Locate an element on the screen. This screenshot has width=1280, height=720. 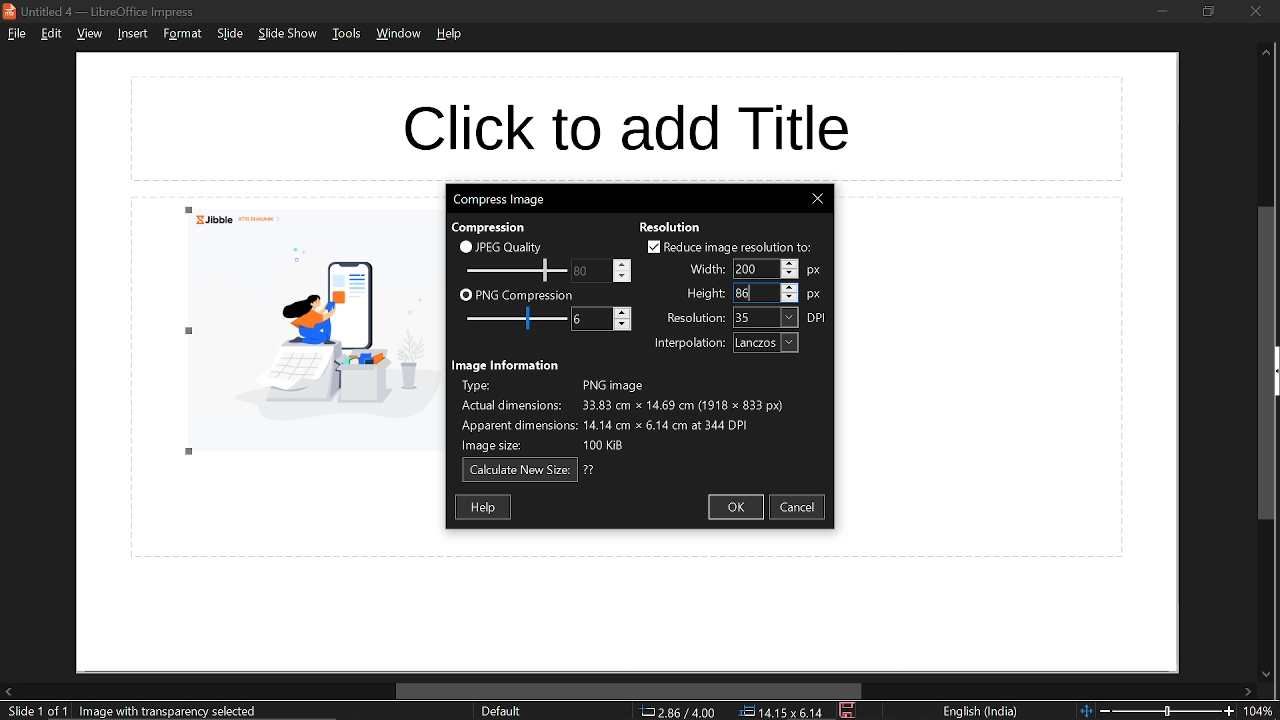
width is located at coordinates (704, 269).